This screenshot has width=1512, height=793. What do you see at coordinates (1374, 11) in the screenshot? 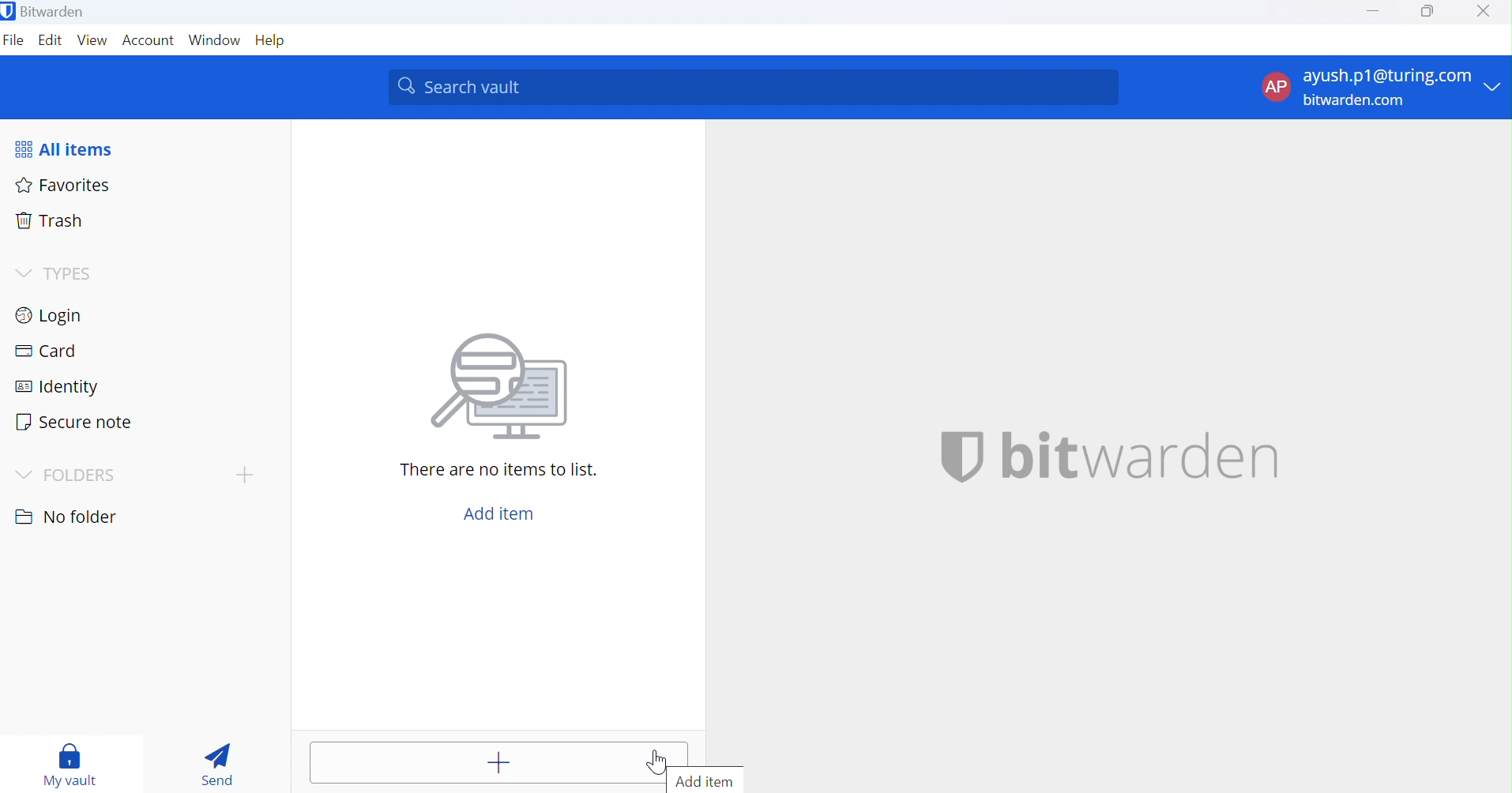
I see `Minimize` at bounding box center [1374, 11].